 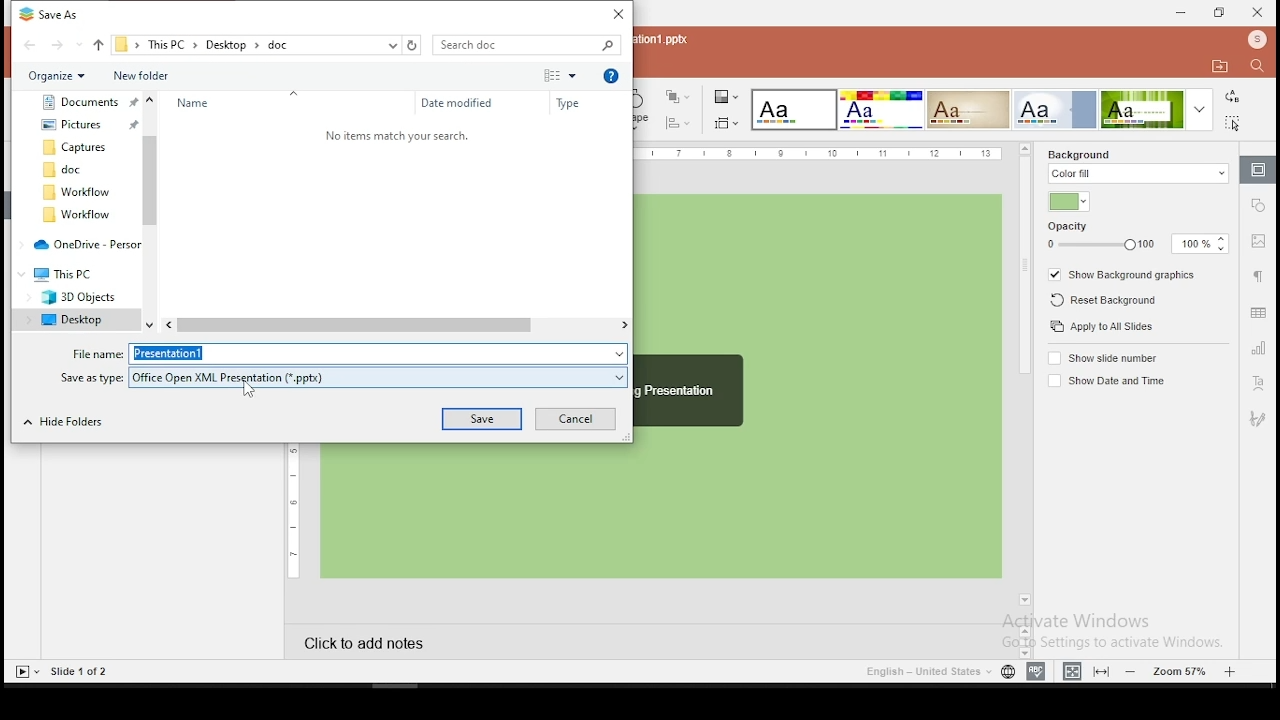 I want to click on background fill, so click(x=1080, y=154).